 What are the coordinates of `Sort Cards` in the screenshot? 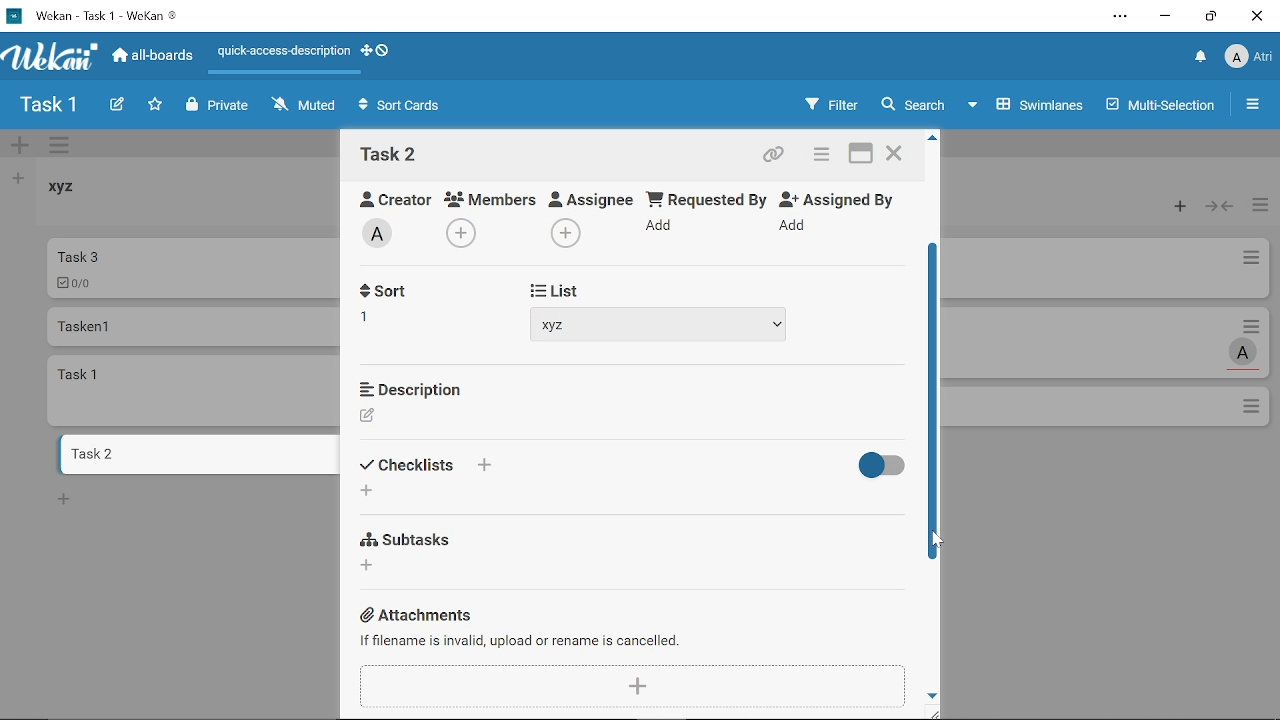 It's located at (404, 107).